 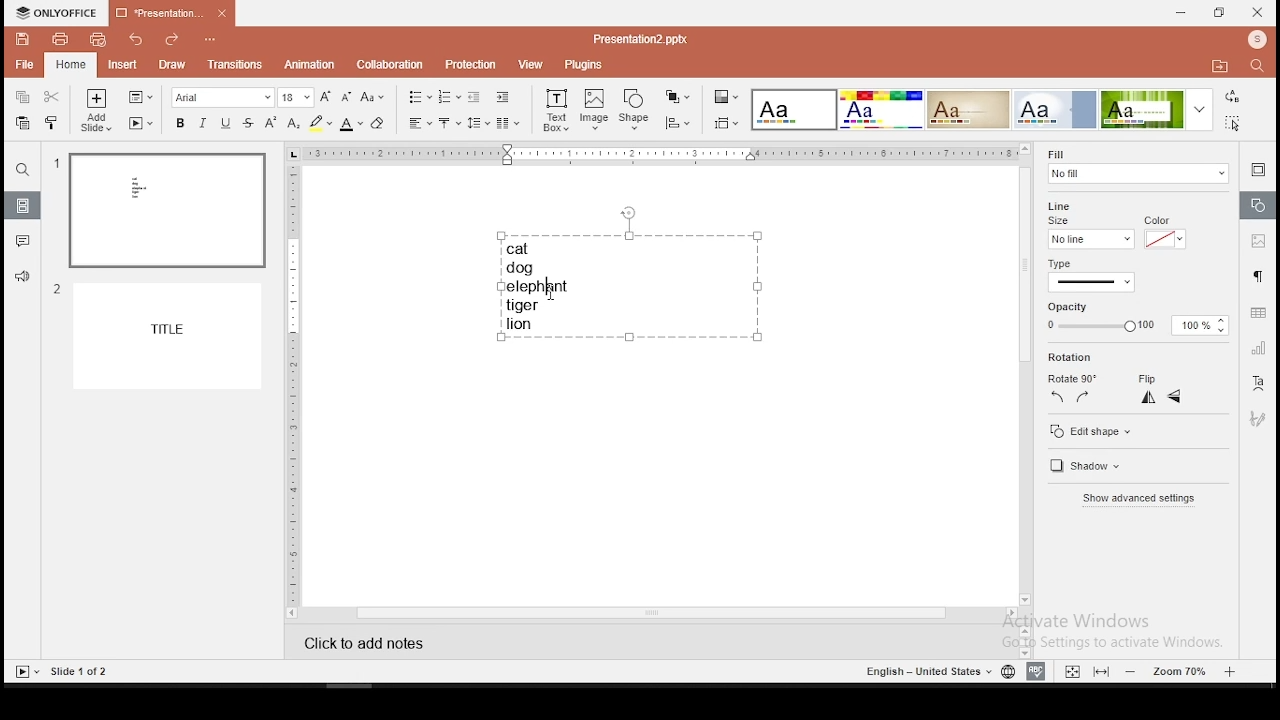 I want to click on close window, so click(x=1259, y=13).